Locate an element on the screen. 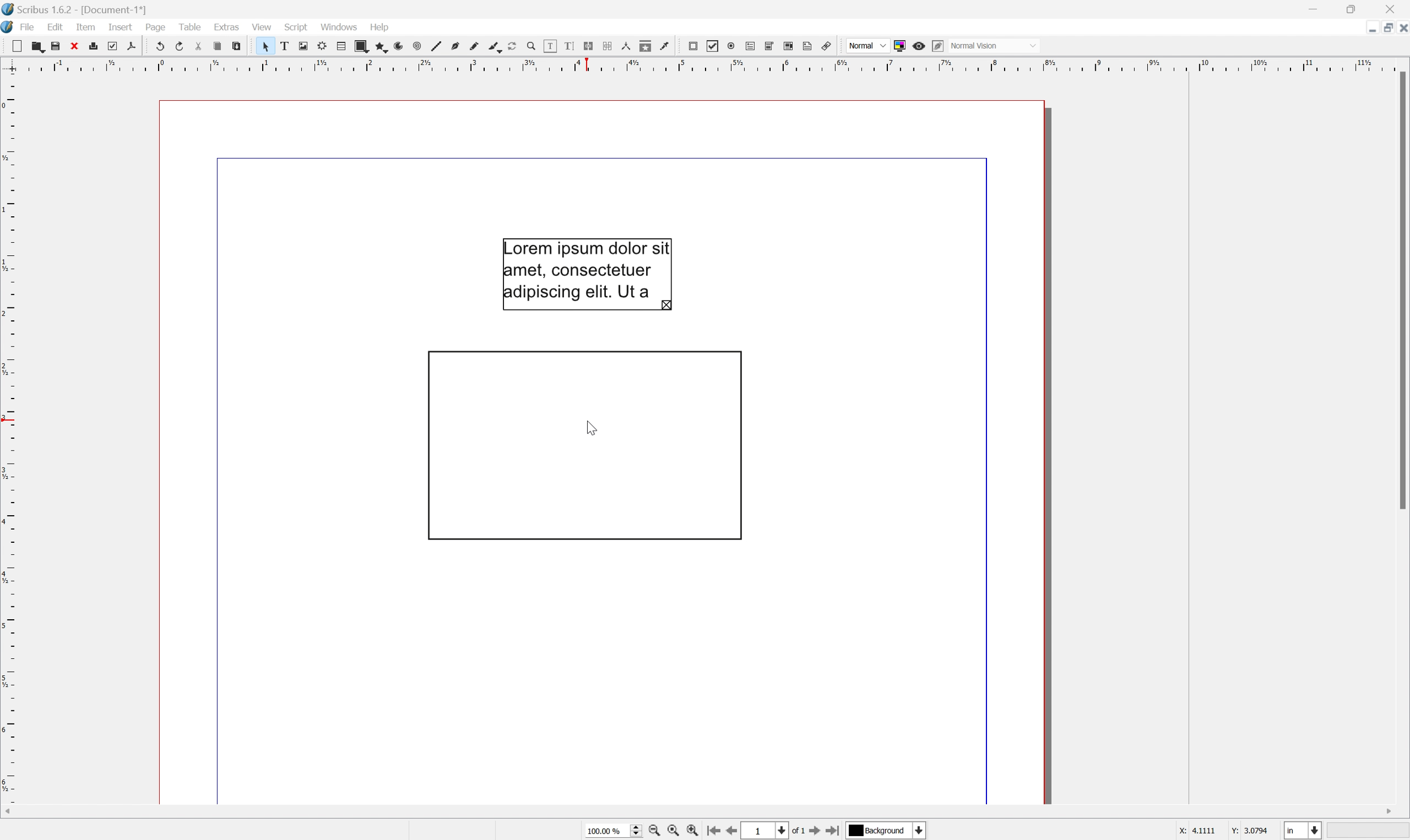 This screenshot has height=840, width=1410. x: is located at coordinates (1180, 830).